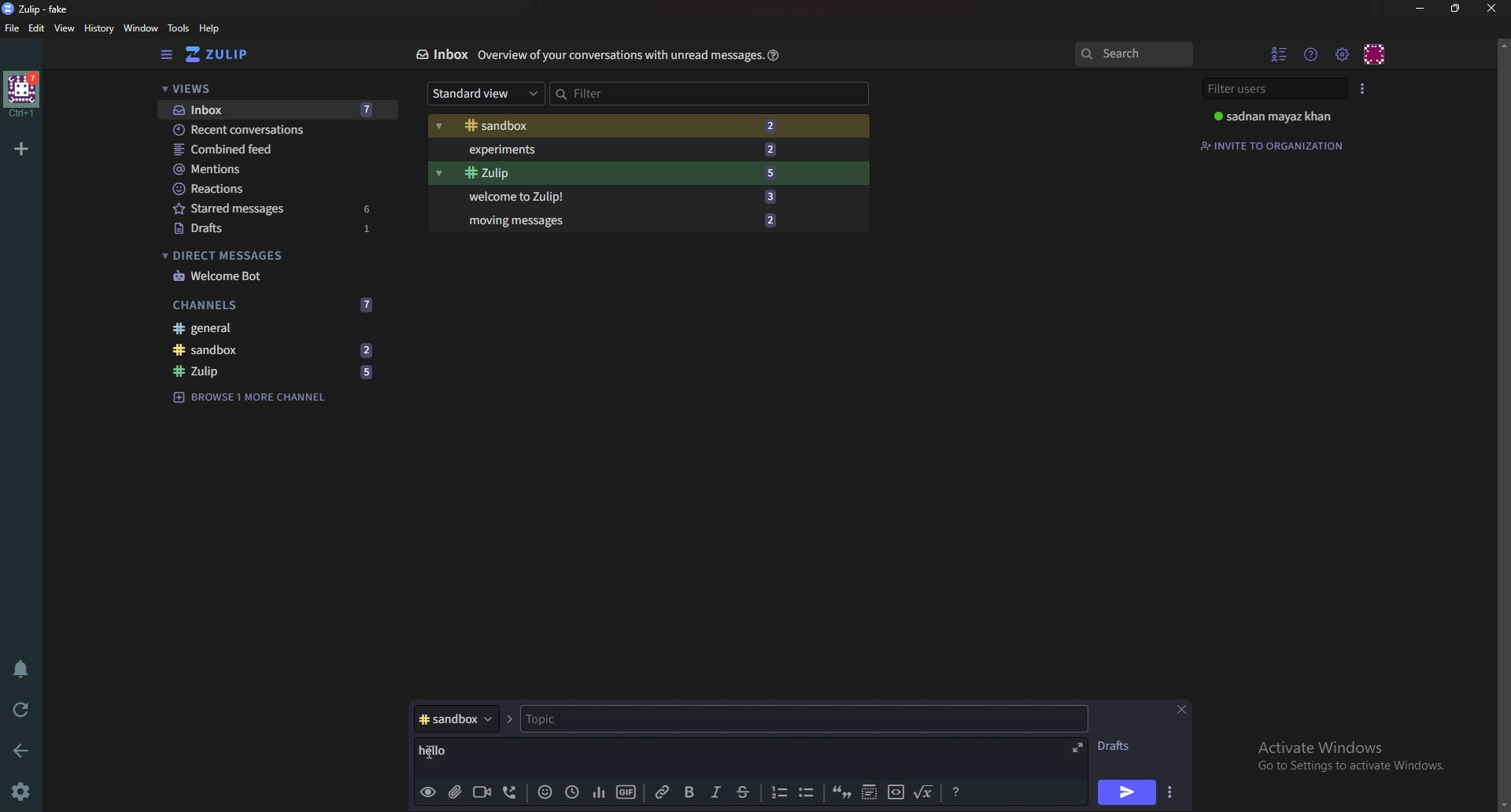 This screenshot has width=1511, height=812. I want to click on Zulip, so click(619, 173).